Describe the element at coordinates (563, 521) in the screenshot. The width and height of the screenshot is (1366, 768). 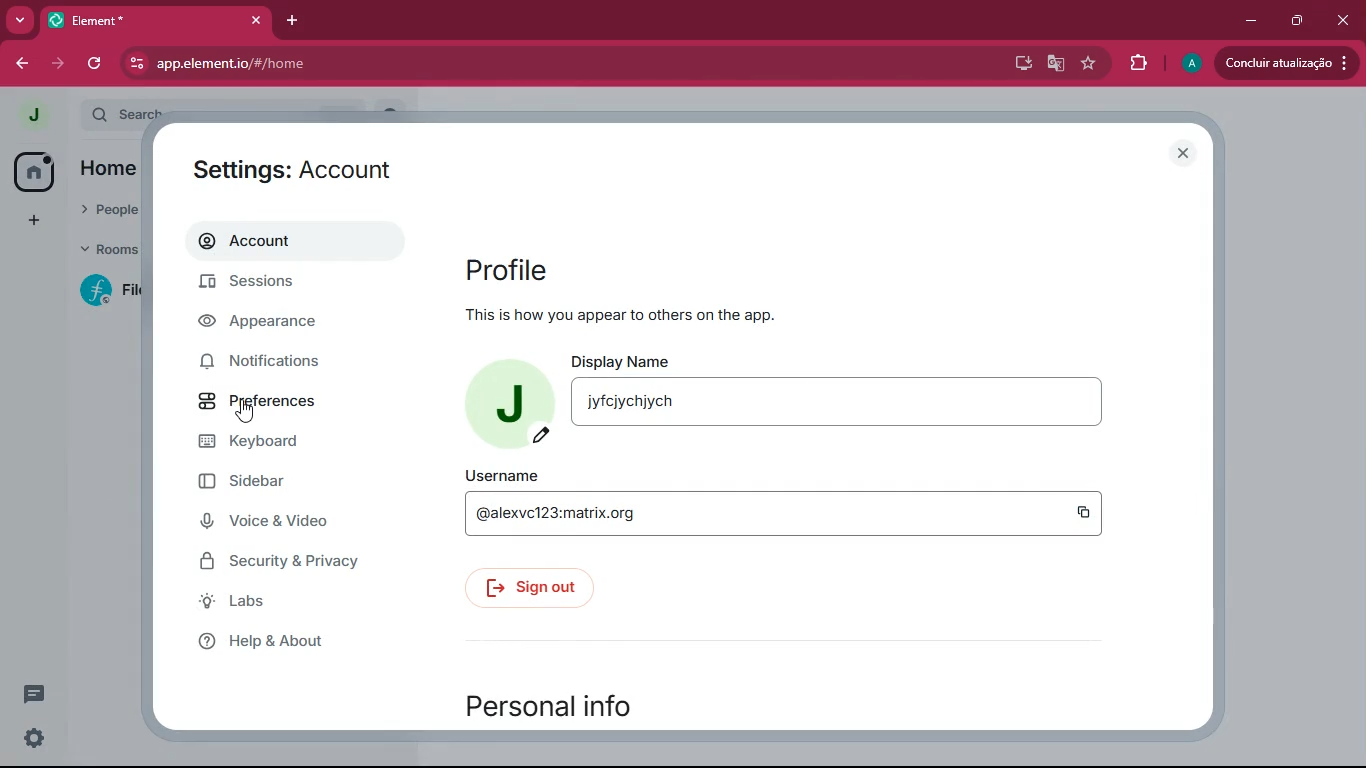
I see `@alexvc123:matrix.org` at that location.